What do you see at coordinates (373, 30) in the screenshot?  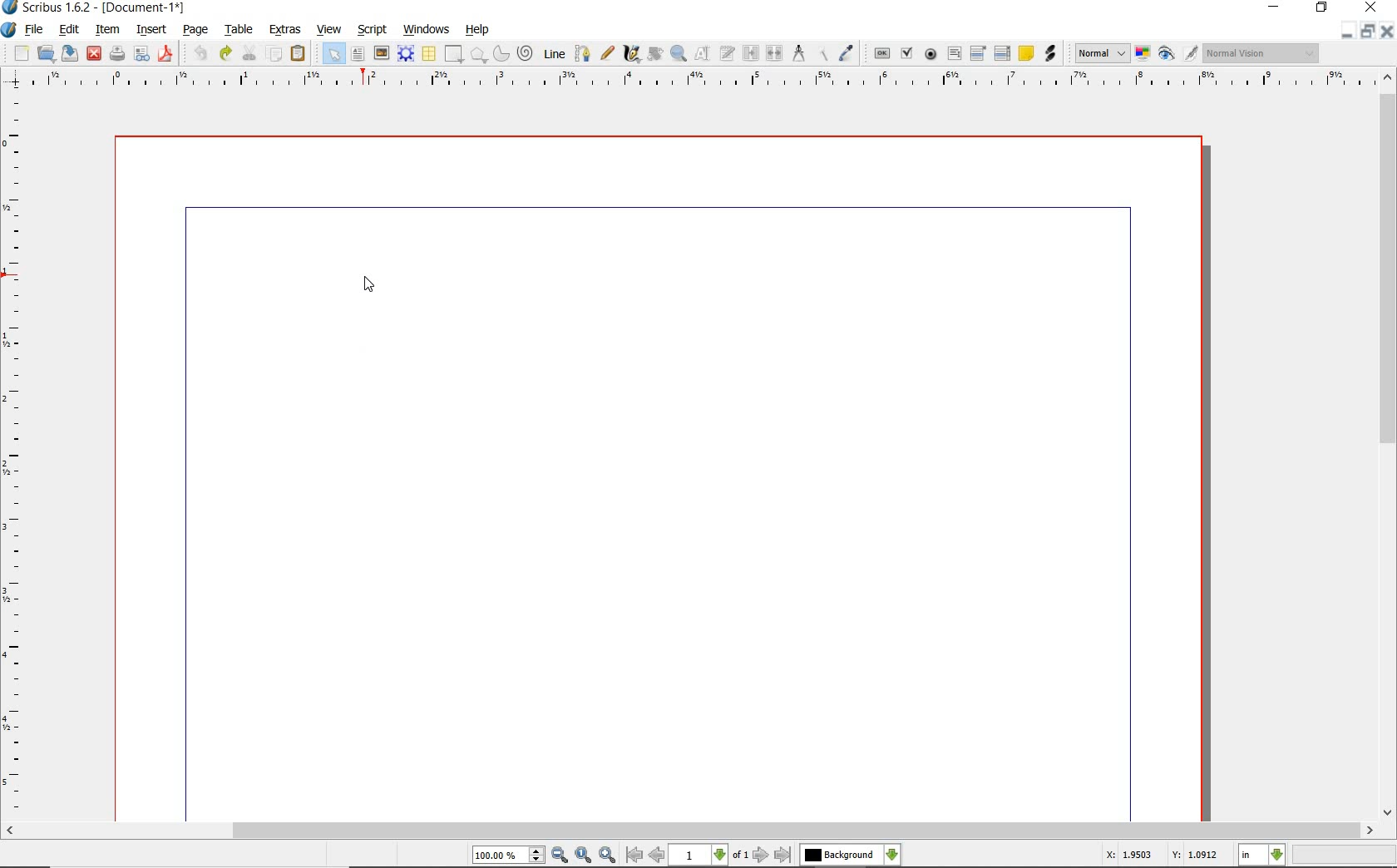 I see `script` at bounding box center [373, 30].